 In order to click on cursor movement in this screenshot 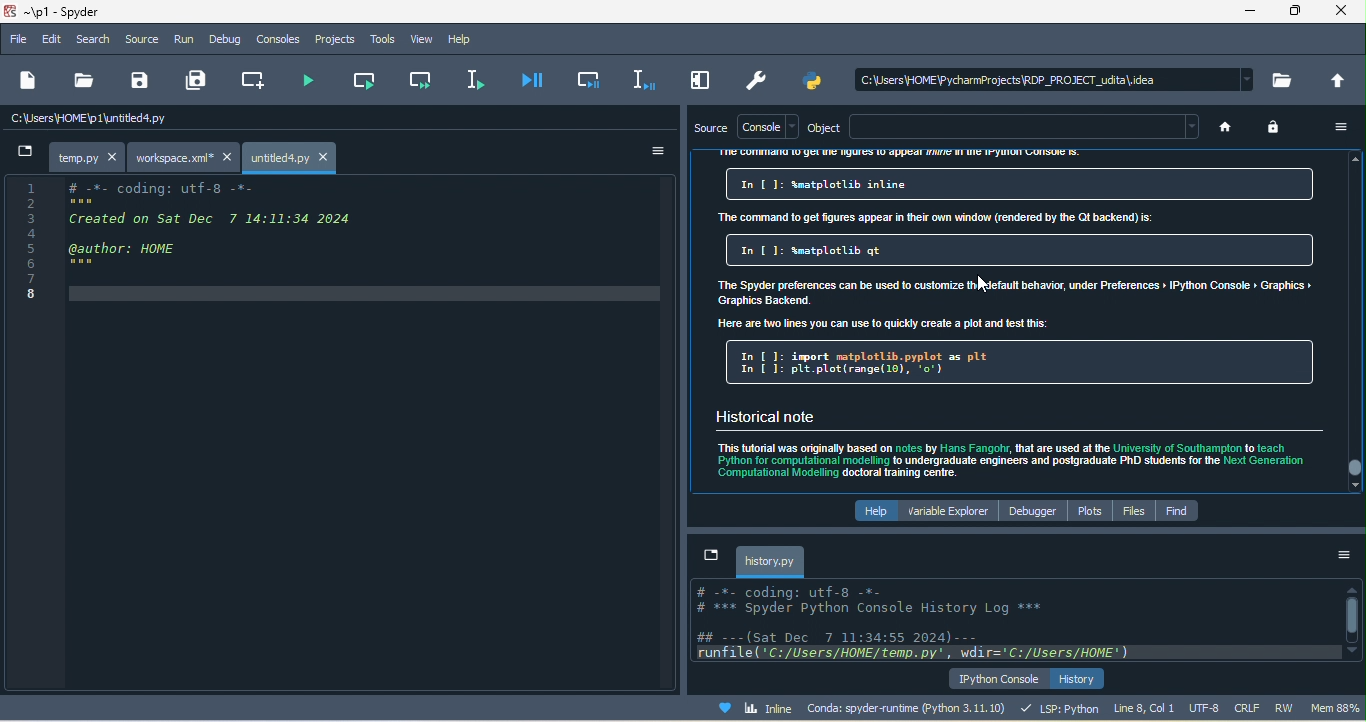, I will do `click(983, 284)`.